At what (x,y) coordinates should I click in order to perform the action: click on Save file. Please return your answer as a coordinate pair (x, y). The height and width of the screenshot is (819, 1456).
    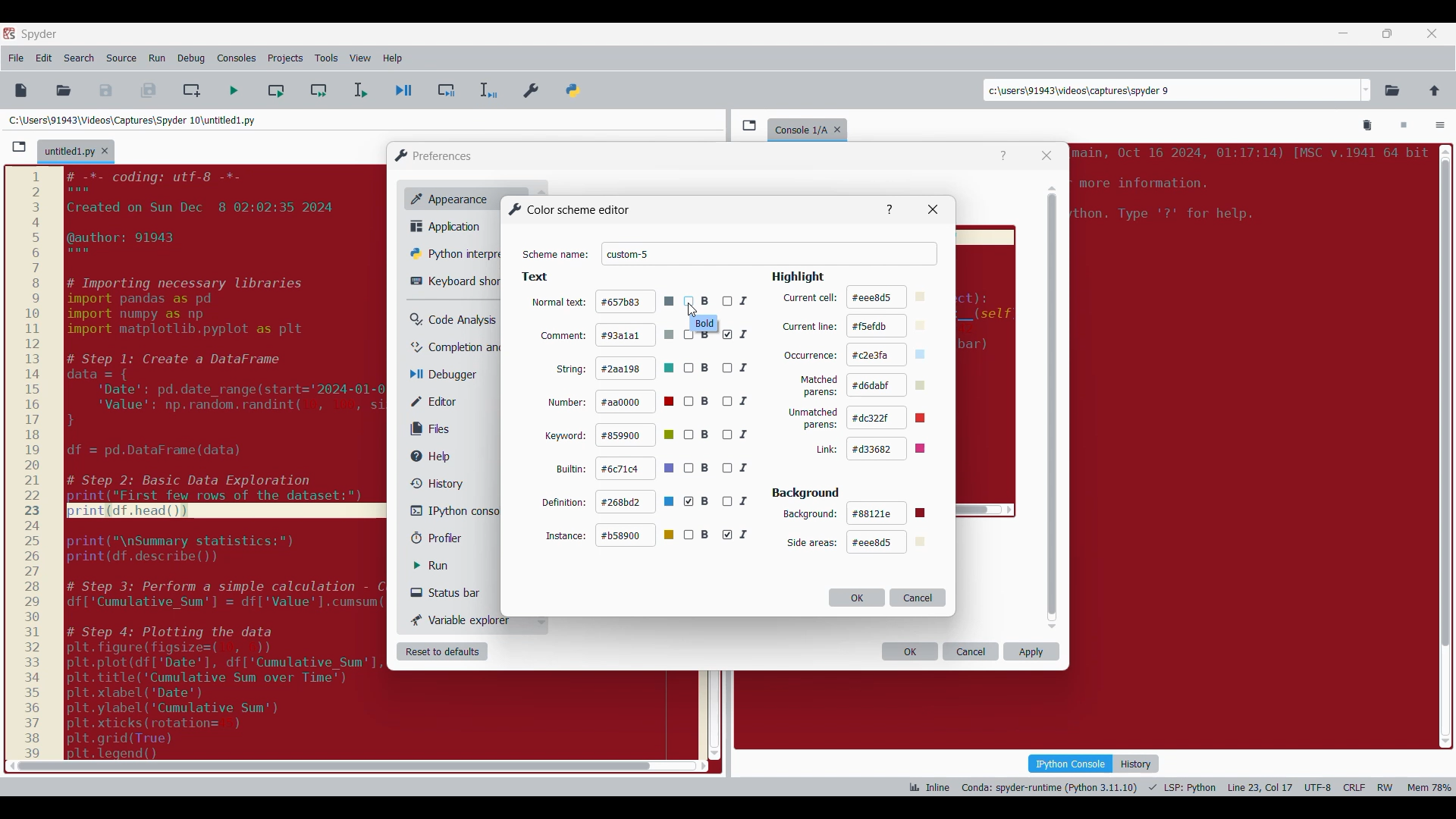
    Looking at the image, I should click on (107, 90).